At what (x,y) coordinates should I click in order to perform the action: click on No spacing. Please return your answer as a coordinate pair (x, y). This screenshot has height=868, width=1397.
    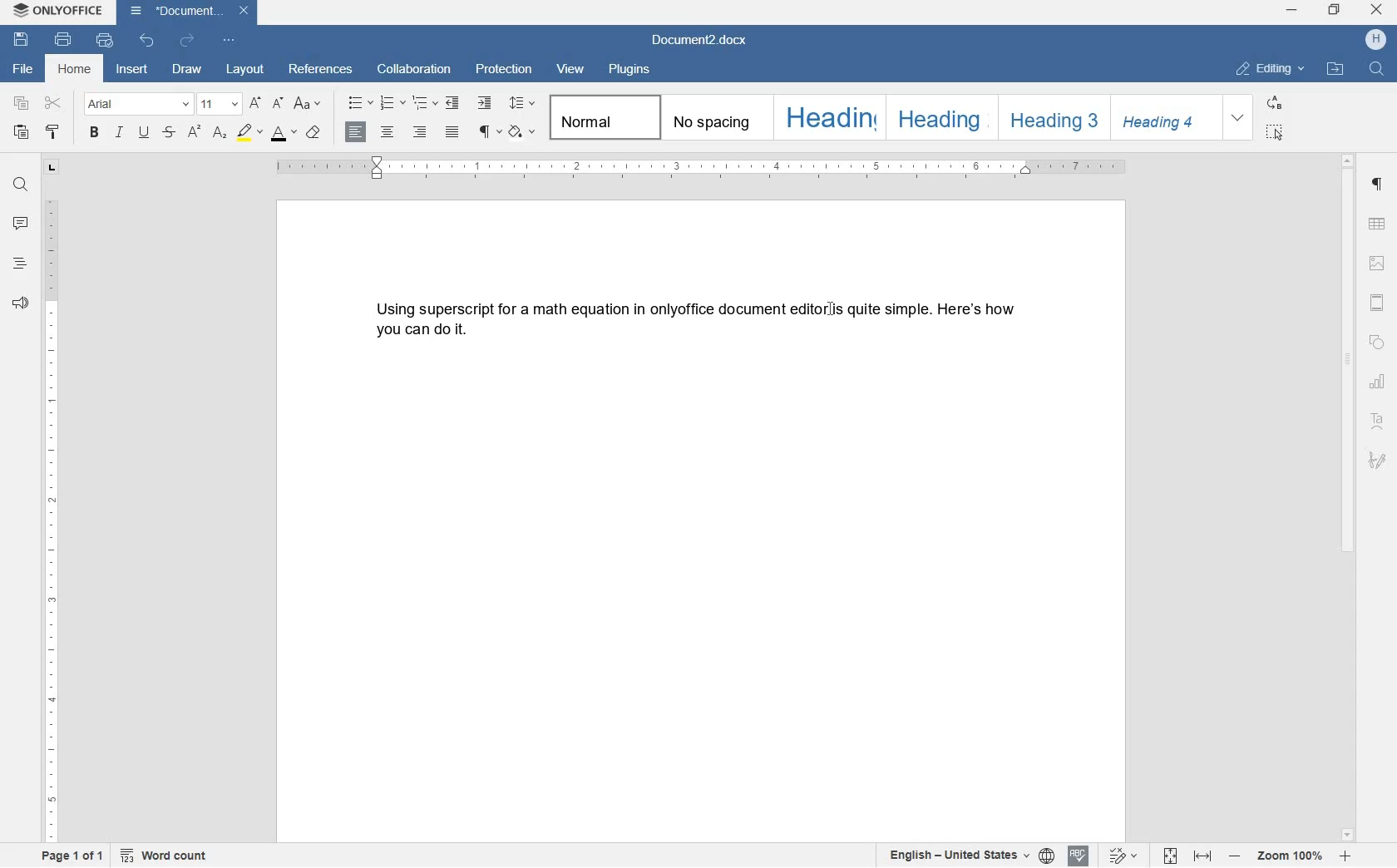
    Looking at the image, I should click on (711, 116).